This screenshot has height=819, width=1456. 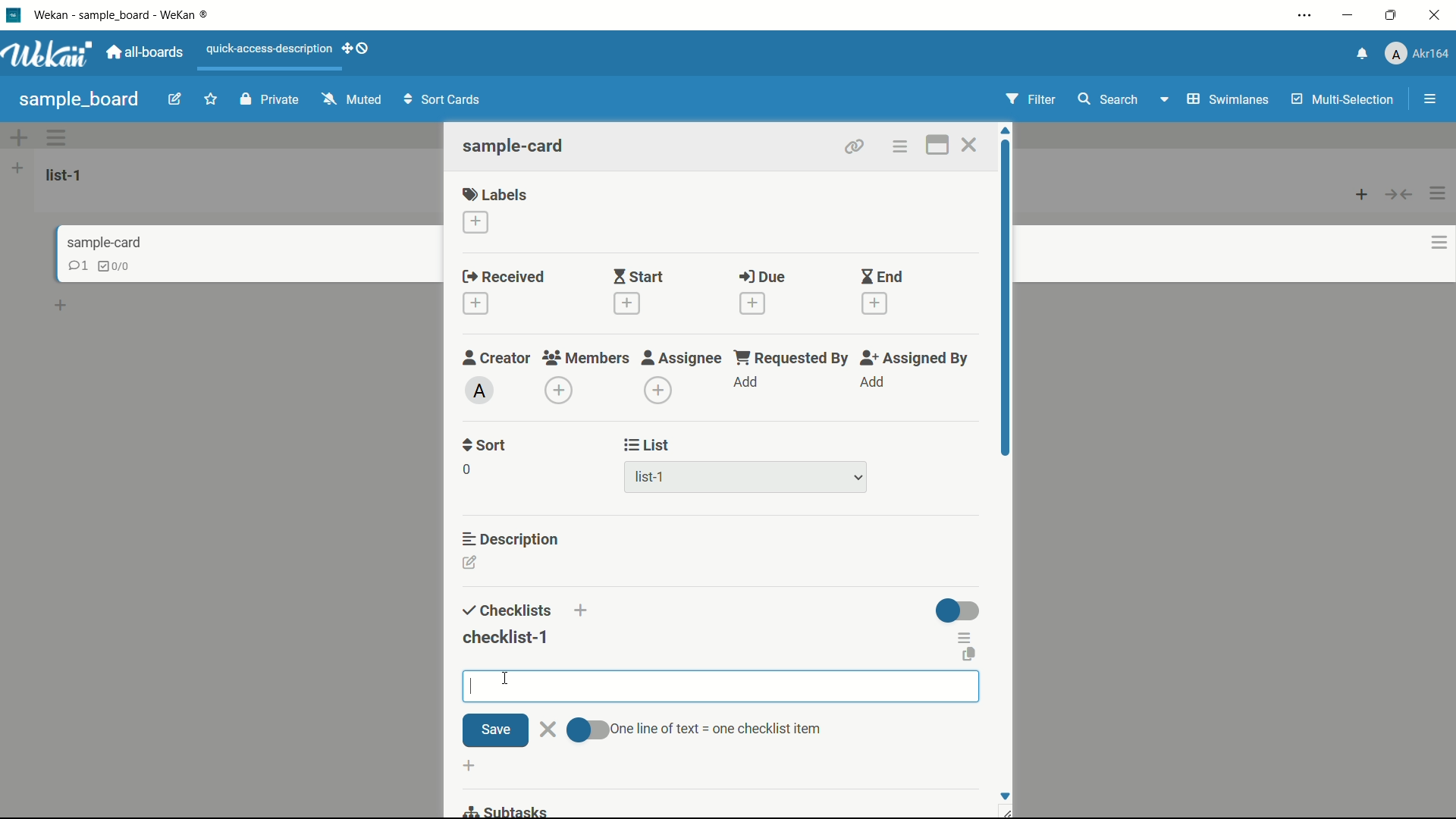 I want to click on add options, so click(x=16, y=136).